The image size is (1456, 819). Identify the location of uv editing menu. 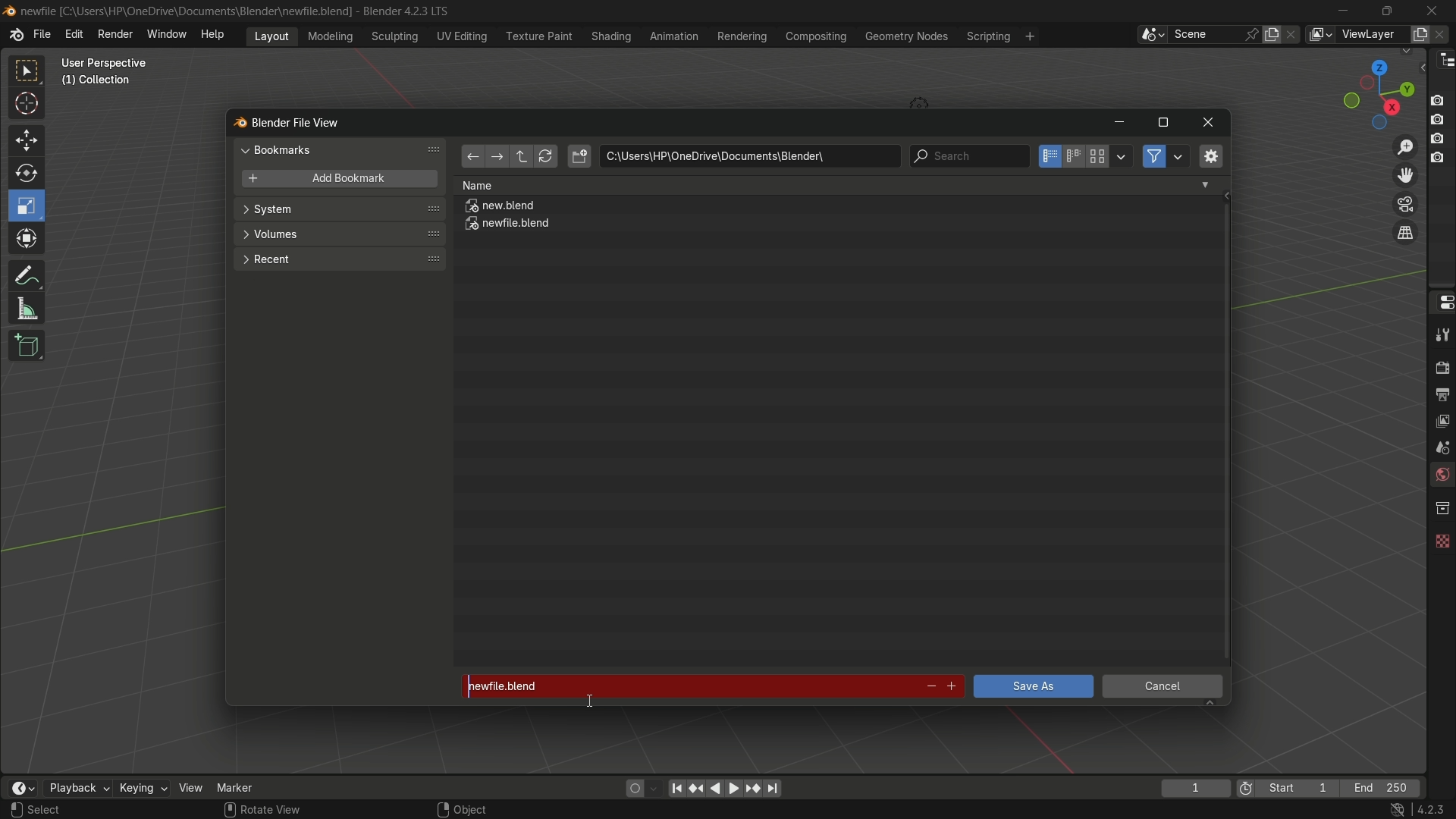
(462, 36).